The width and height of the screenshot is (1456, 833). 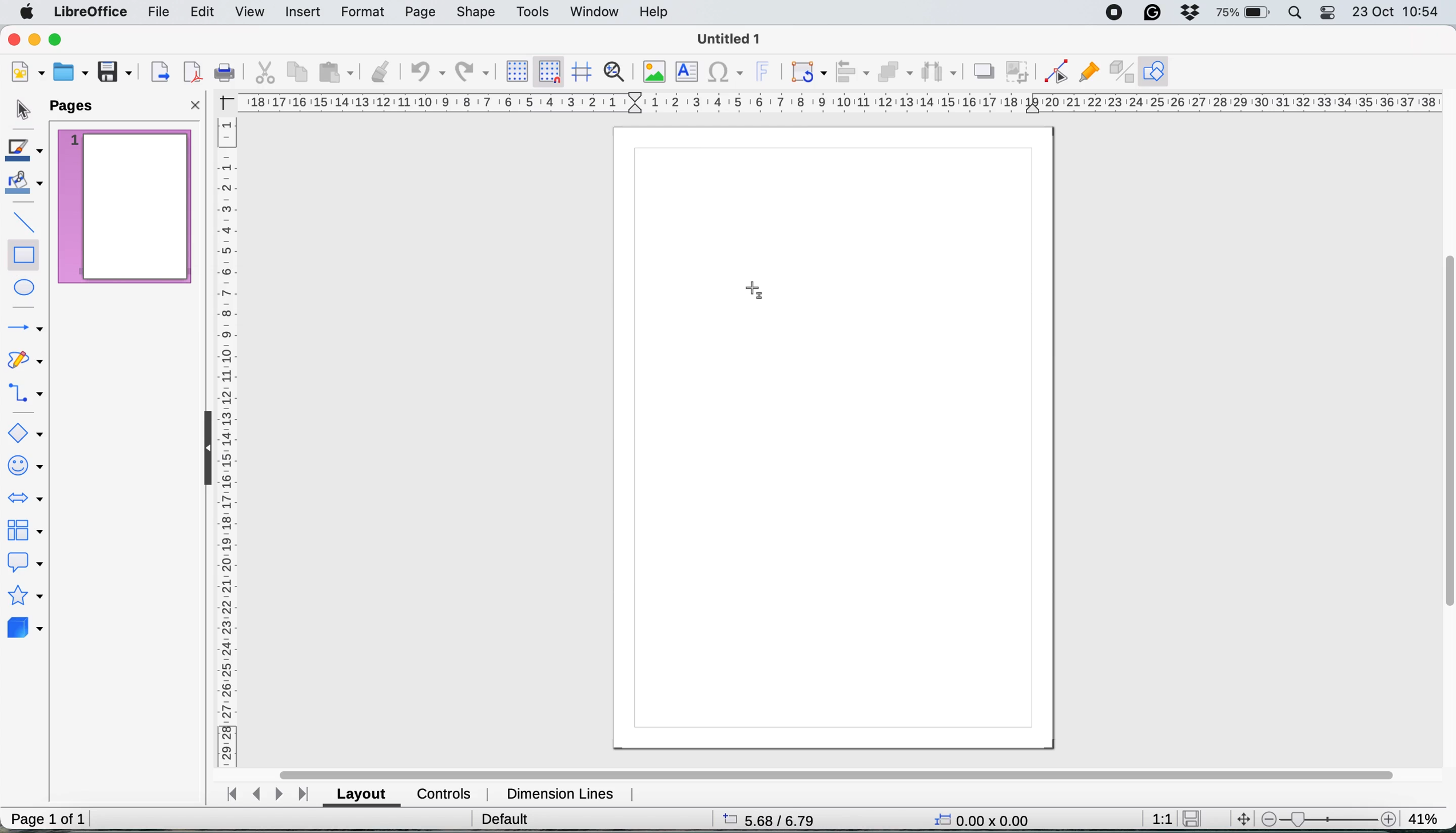 I want to click on horizontal scroll bar, so click(x=837, y=768).